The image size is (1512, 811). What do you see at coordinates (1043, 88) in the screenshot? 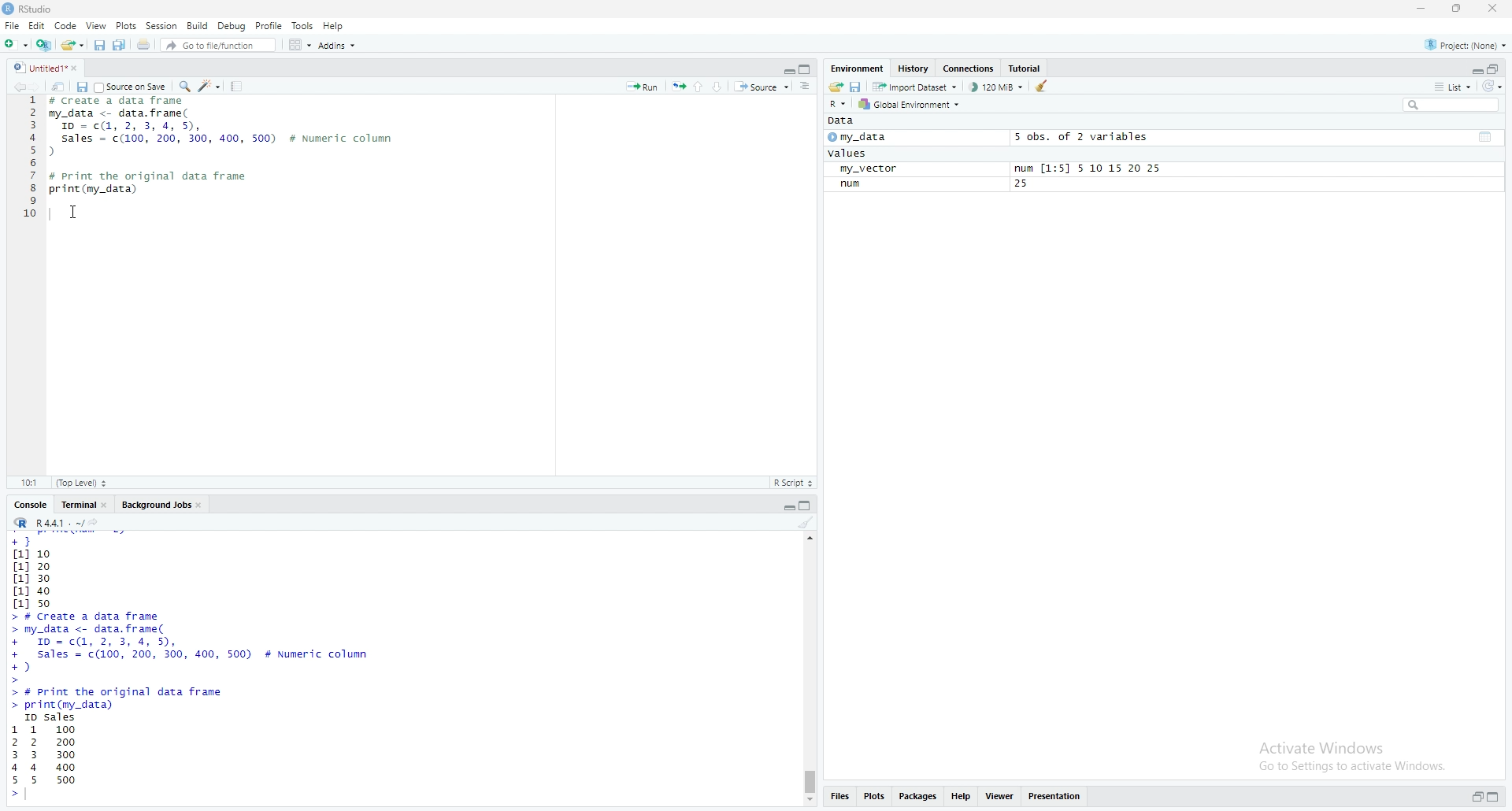
I see `clear objects from the workspace` at bounding box center [1043, 88].